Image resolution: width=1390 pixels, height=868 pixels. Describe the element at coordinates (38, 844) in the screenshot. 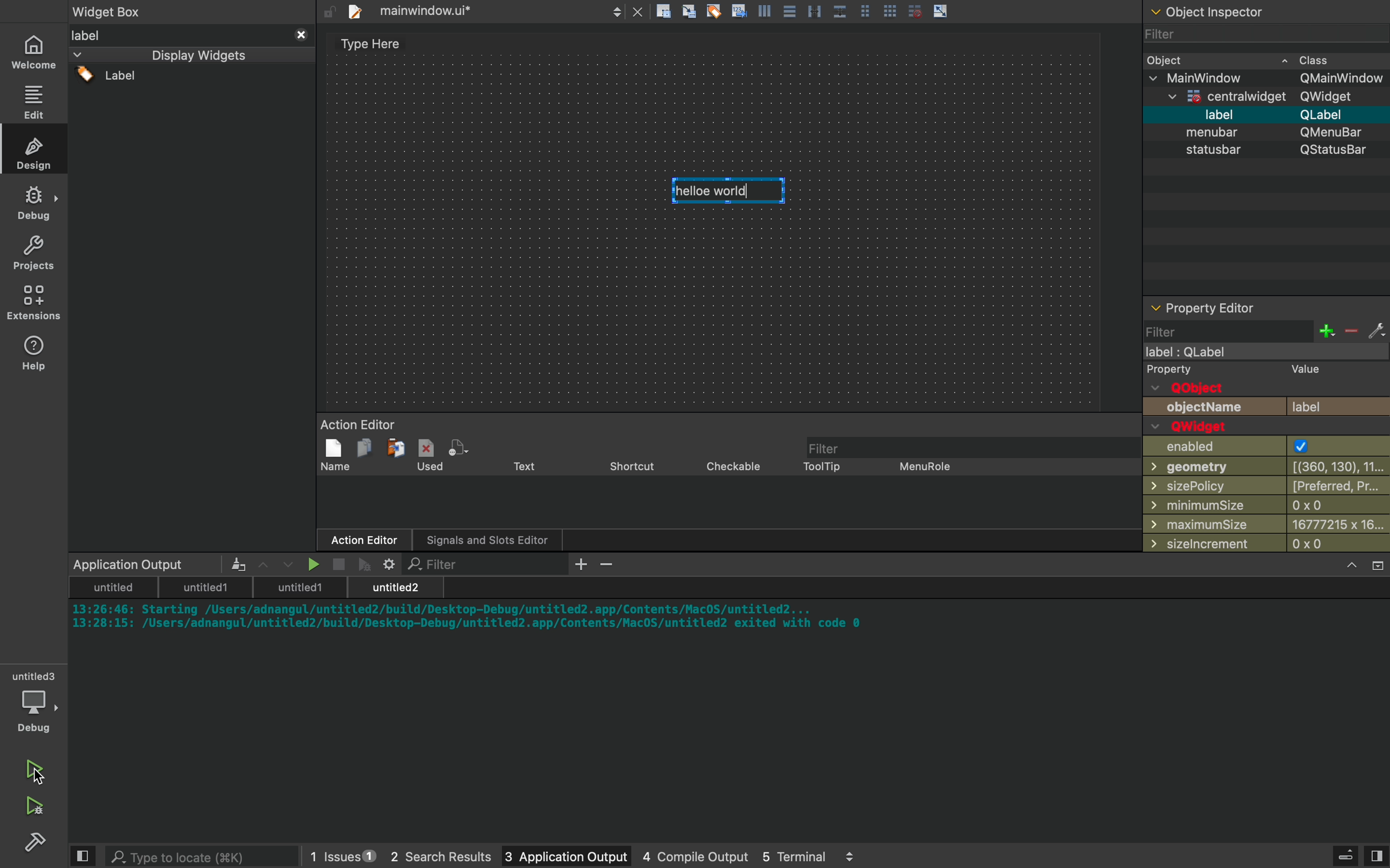

I see `` at that location.